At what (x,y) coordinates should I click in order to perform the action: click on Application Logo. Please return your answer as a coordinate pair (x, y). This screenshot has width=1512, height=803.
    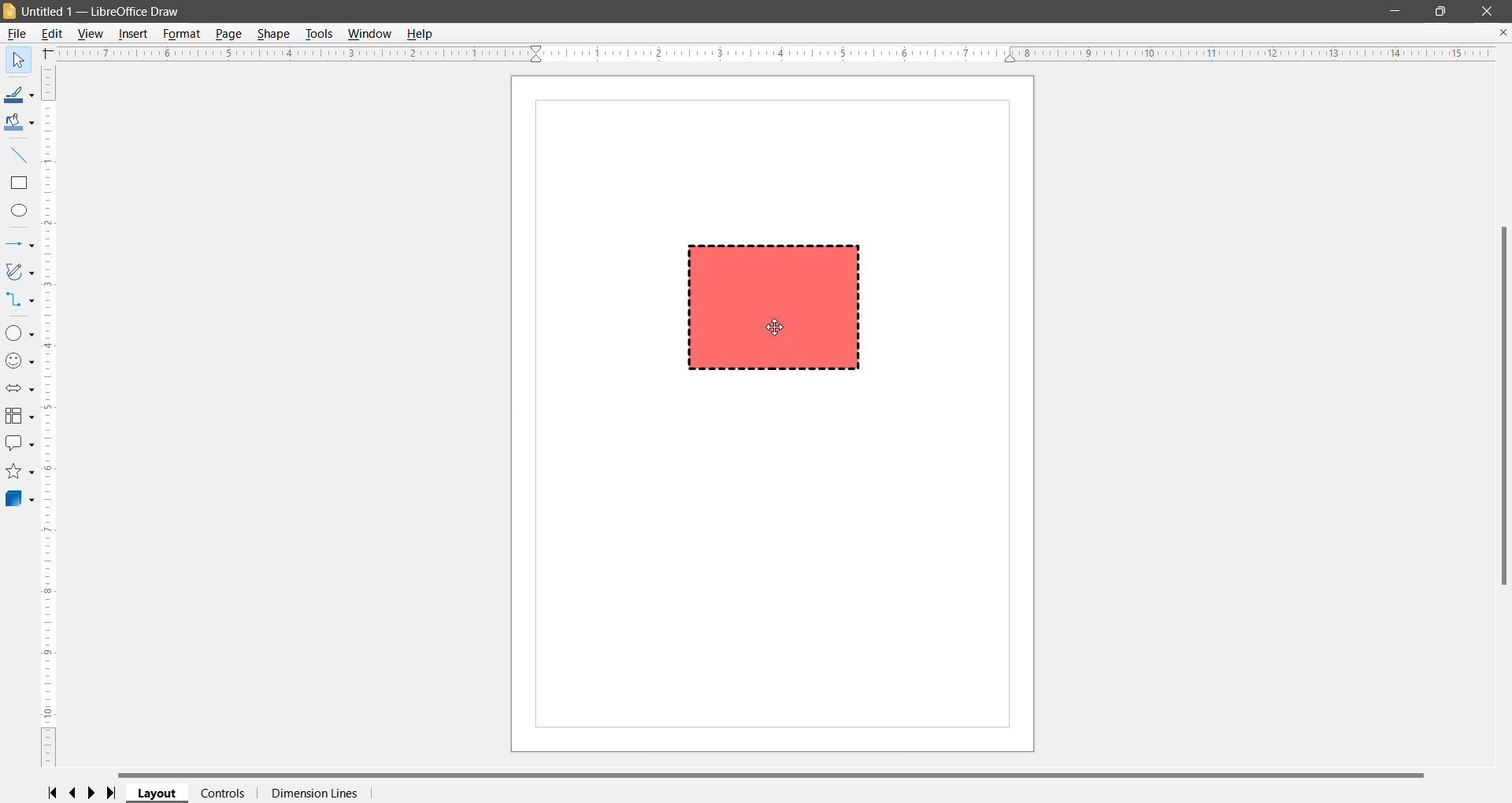
    Looking at the image, I should click on (9, 13).